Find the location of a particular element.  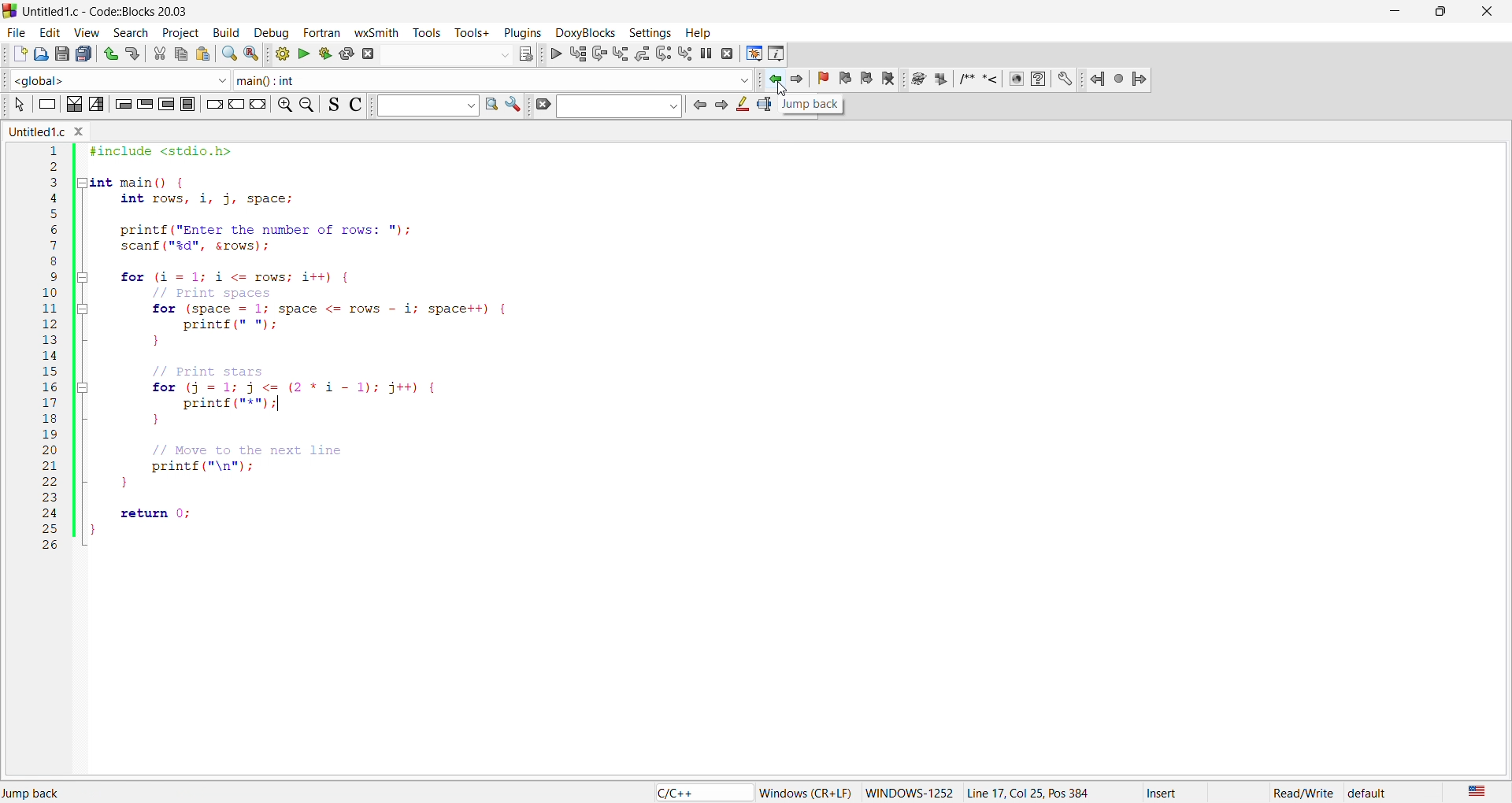

edit is located at coordinates (49, 31).